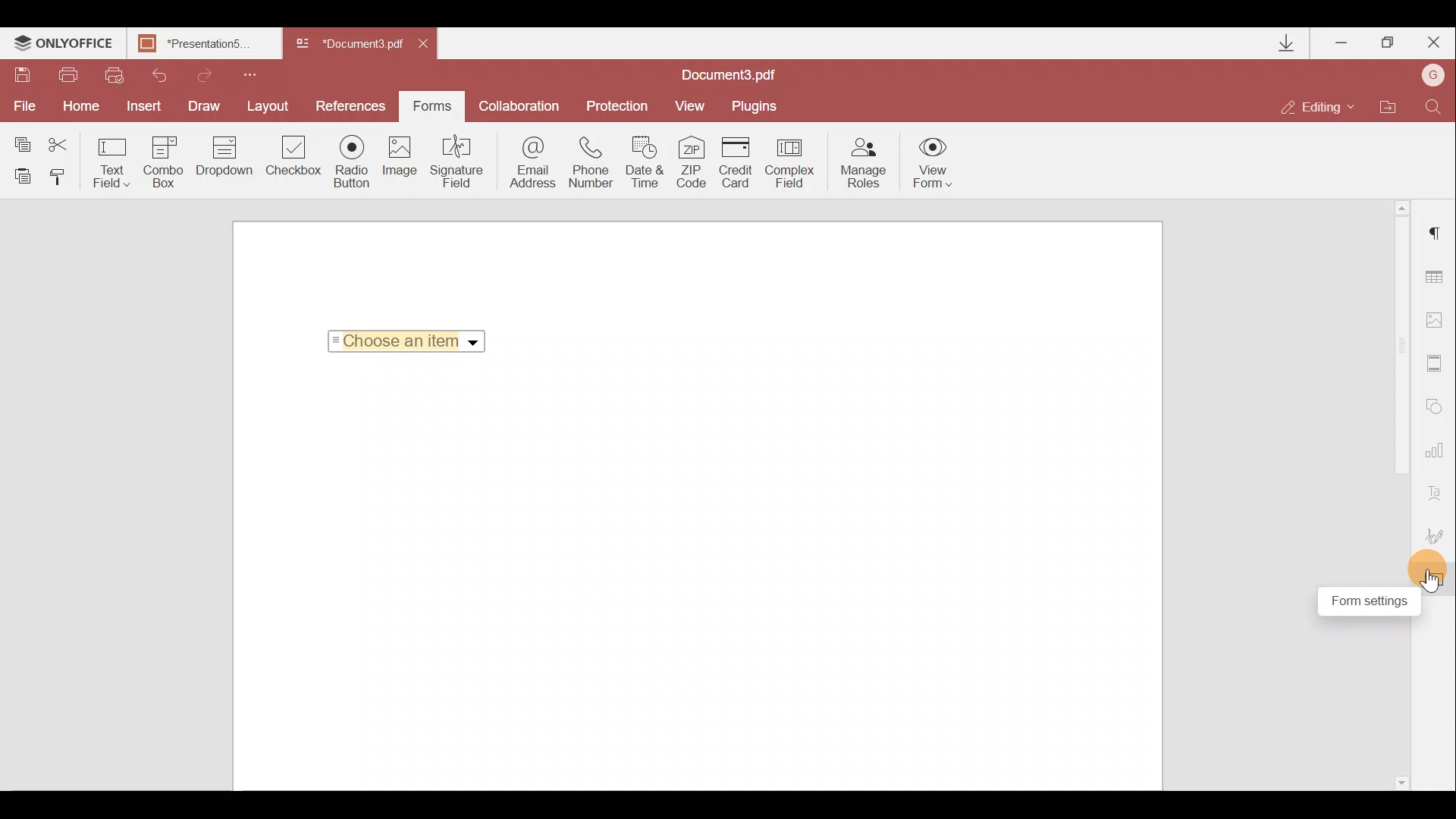 This screenshot has width=1456, height=819. What do you see at coordinates (1438, 366) in the screenshot?
I see `Header & Footer settings` at bounding box center [1438, 366].